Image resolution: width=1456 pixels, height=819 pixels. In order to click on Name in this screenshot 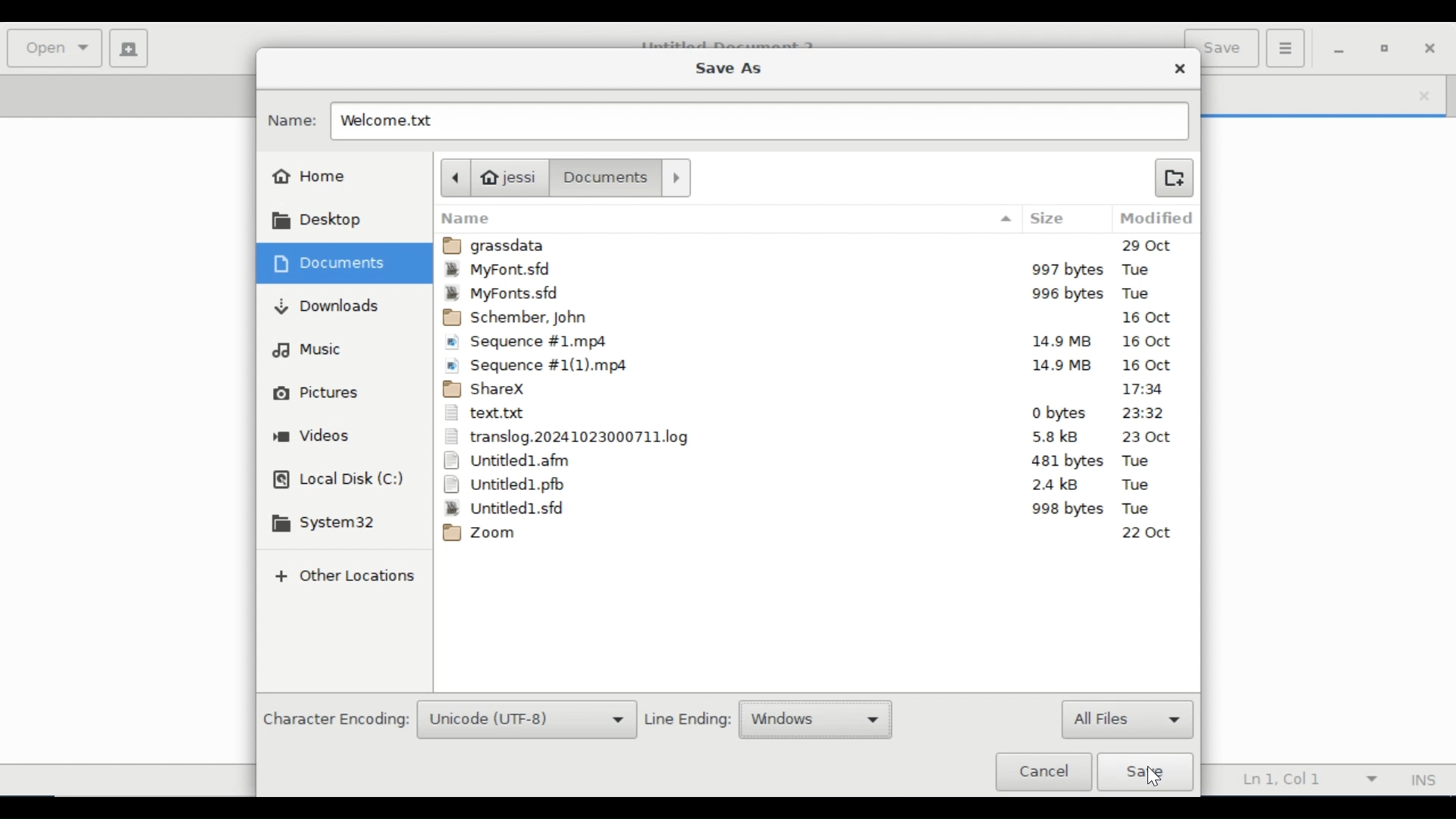, I will do `click(729, 218)`.